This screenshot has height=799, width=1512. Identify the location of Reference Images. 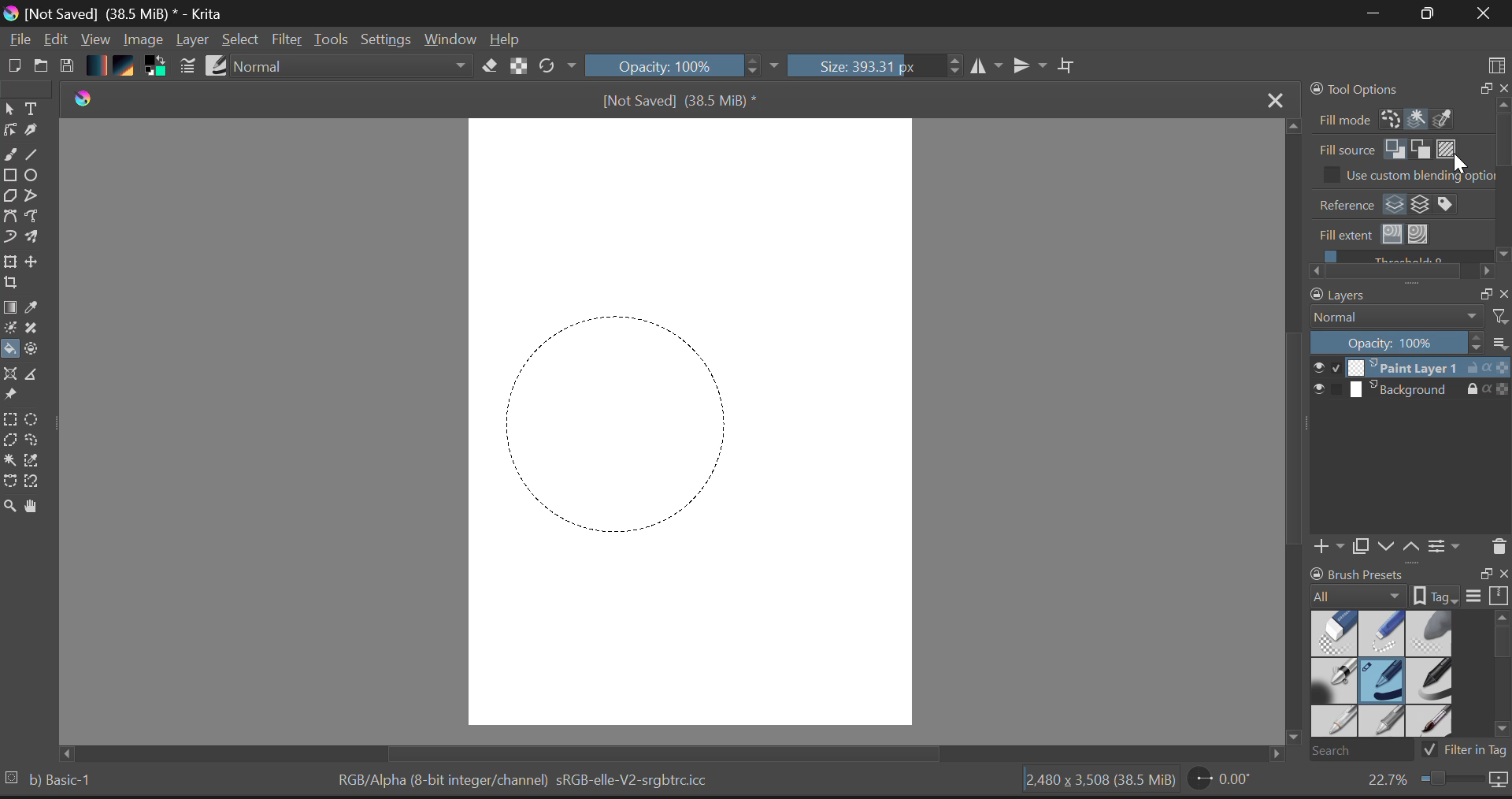
(13, 396).